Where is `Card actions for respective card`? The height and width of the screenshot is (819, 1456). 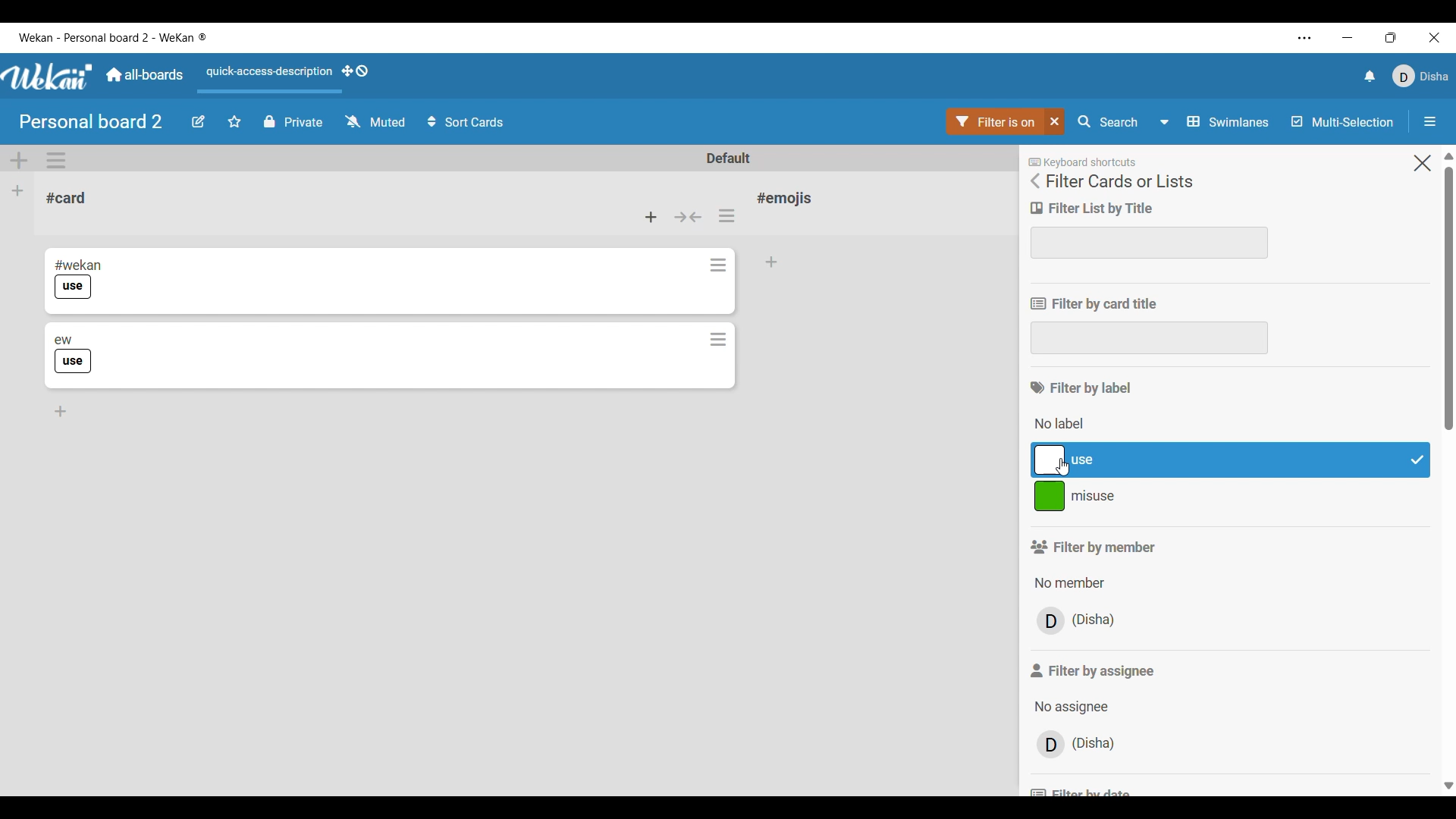
Card actions for respective card is located at coordinates (718, 340).